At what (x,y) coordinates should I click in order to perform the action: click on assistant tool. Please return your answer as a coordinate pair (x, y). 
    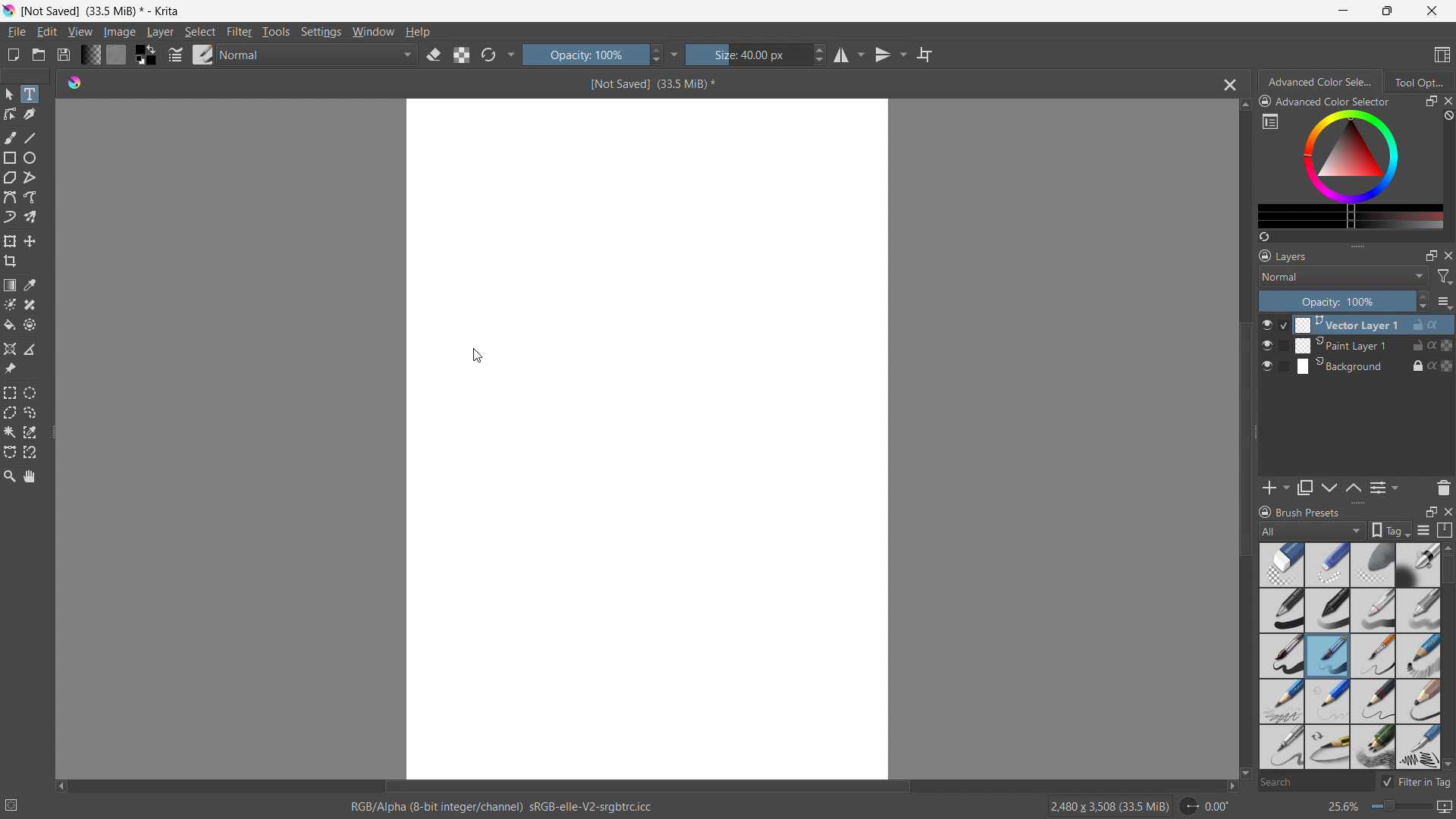
    Looking at the image, I should click on (10, 349).